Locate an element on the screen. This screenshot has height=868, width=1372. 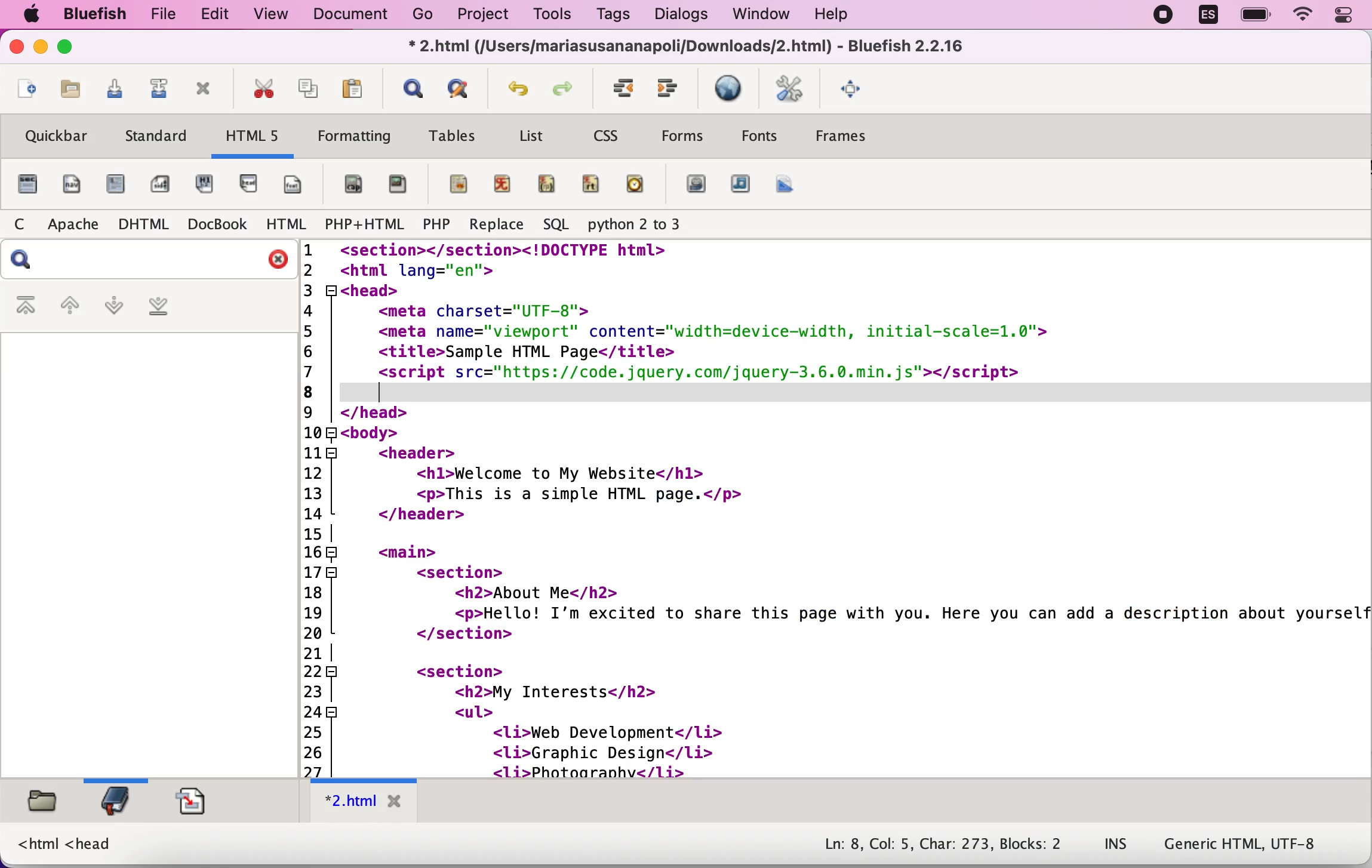
unindent is located at coordinates (622, 88).